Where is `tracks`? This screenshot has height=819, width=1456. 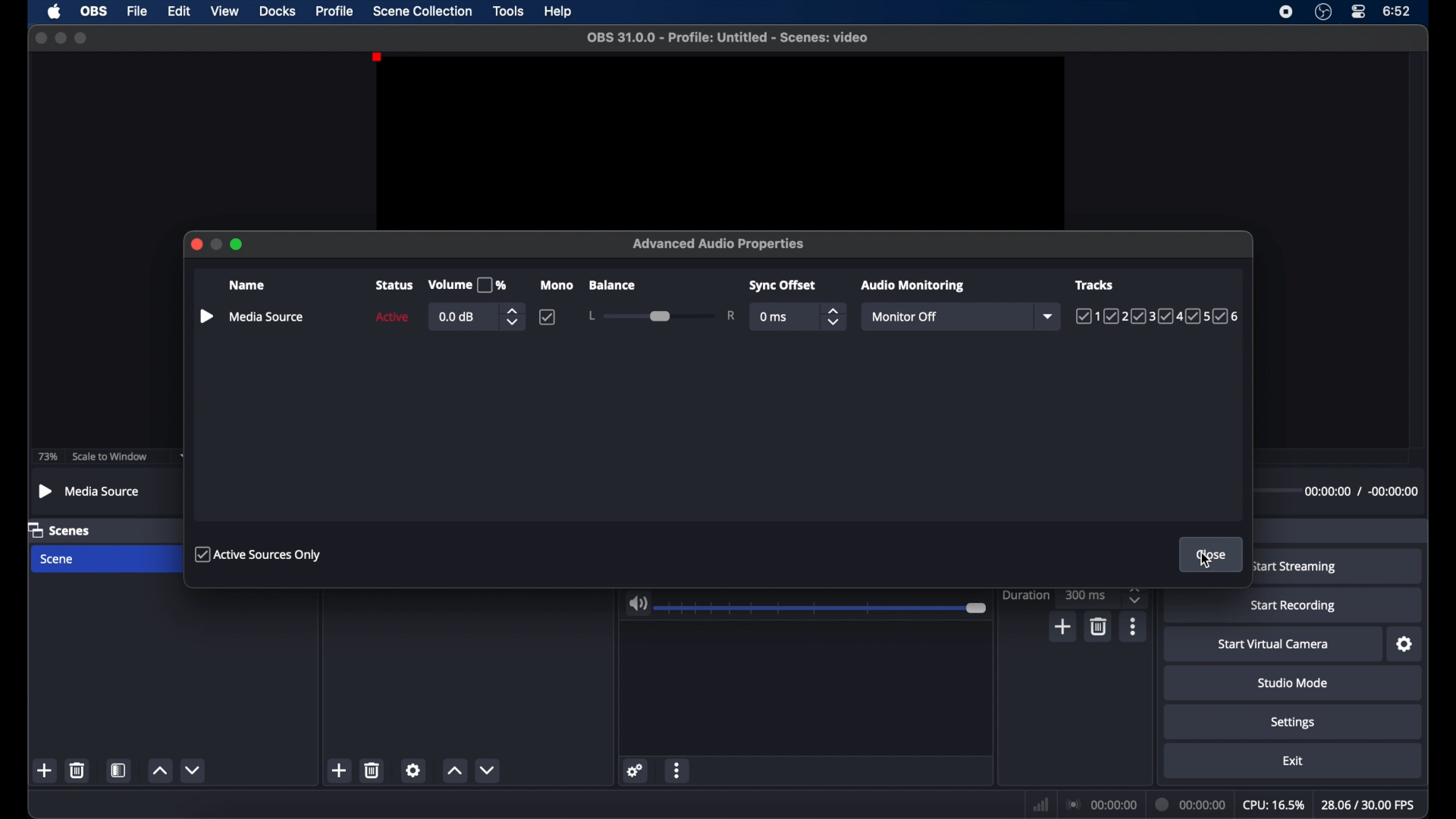
tracks is located at coordinates (1094, 285).